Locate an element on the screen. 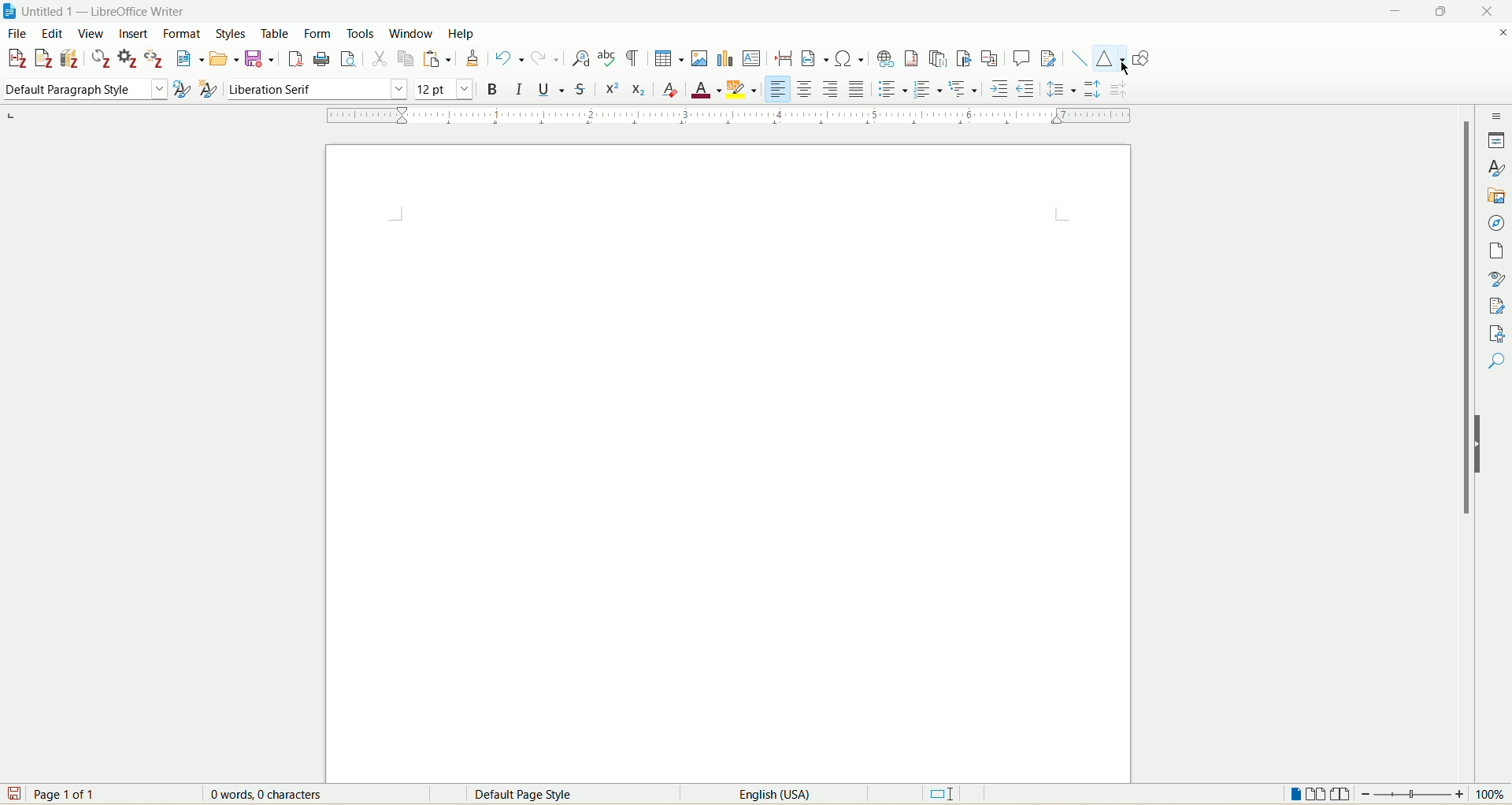 This screenshot has width=1512, height=805. window is located at coordinates (413, 31).